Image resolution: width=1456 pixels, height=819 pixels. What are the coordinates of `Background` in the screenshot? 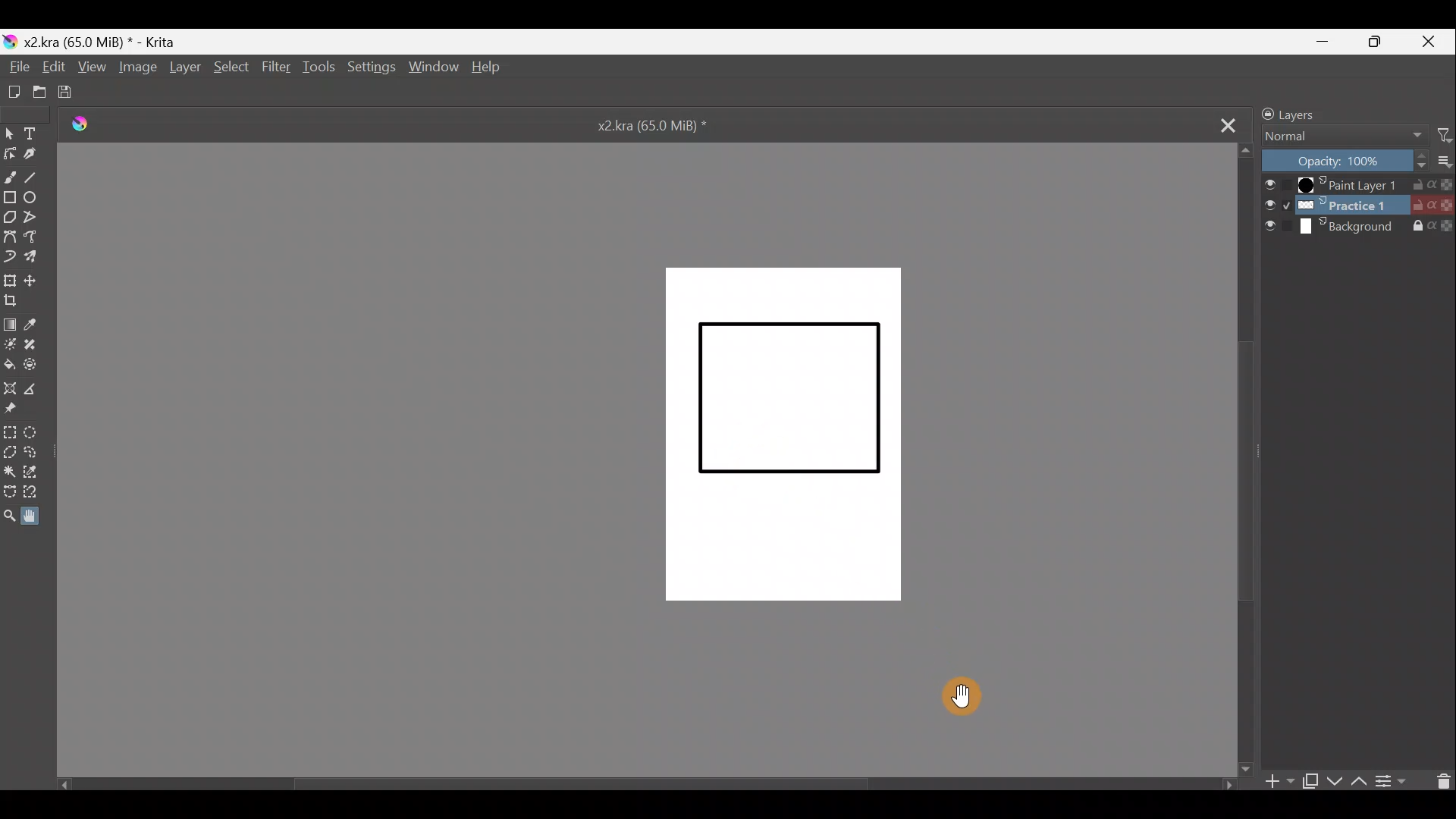 It's located at (1359, 228).